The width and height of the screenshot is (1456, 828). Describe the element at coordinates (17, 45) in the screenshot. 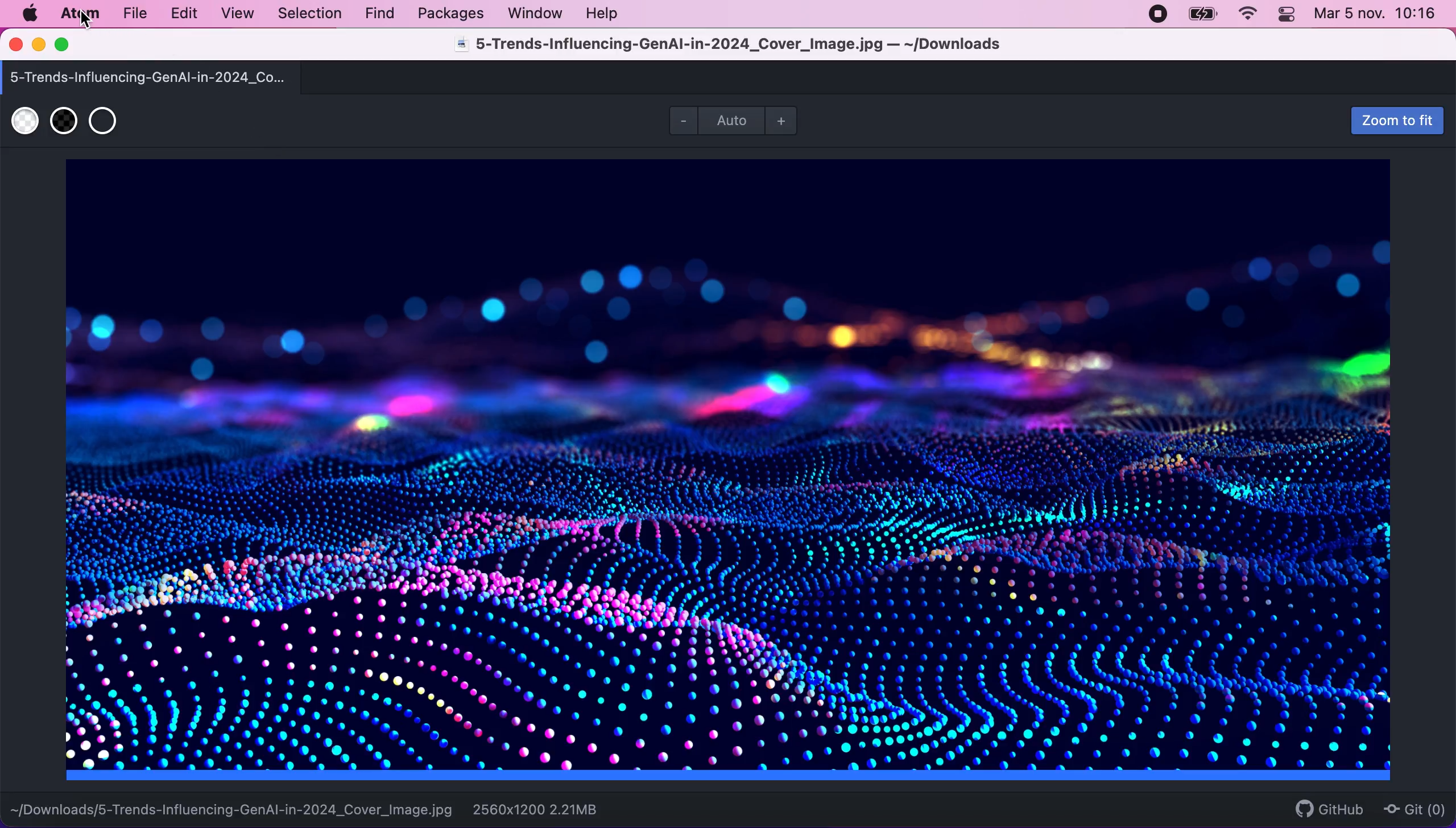

I see `close` at that location.